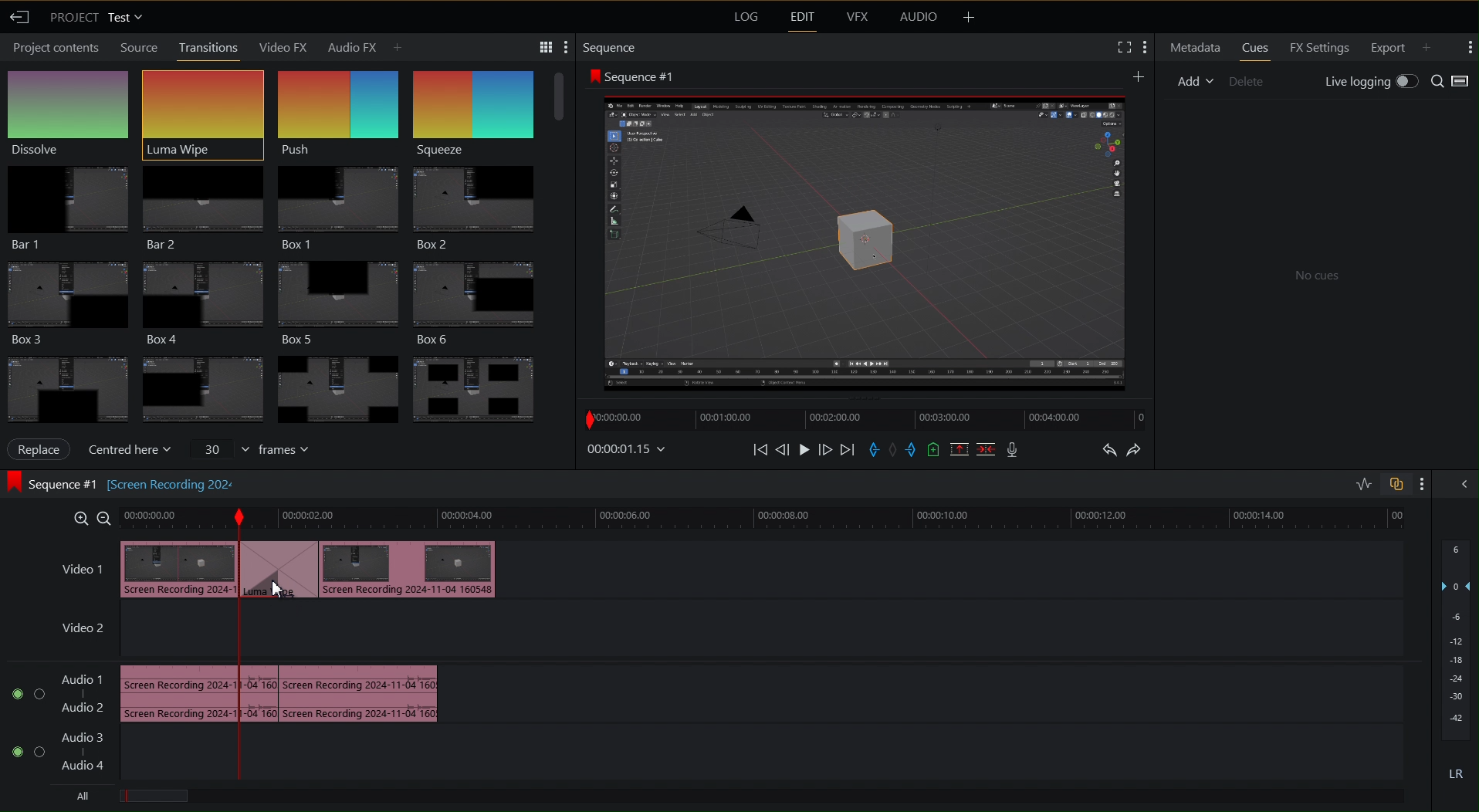  Describe the element at coordinates (1012, 449) in the screenshot. I see `Mic` at that location.